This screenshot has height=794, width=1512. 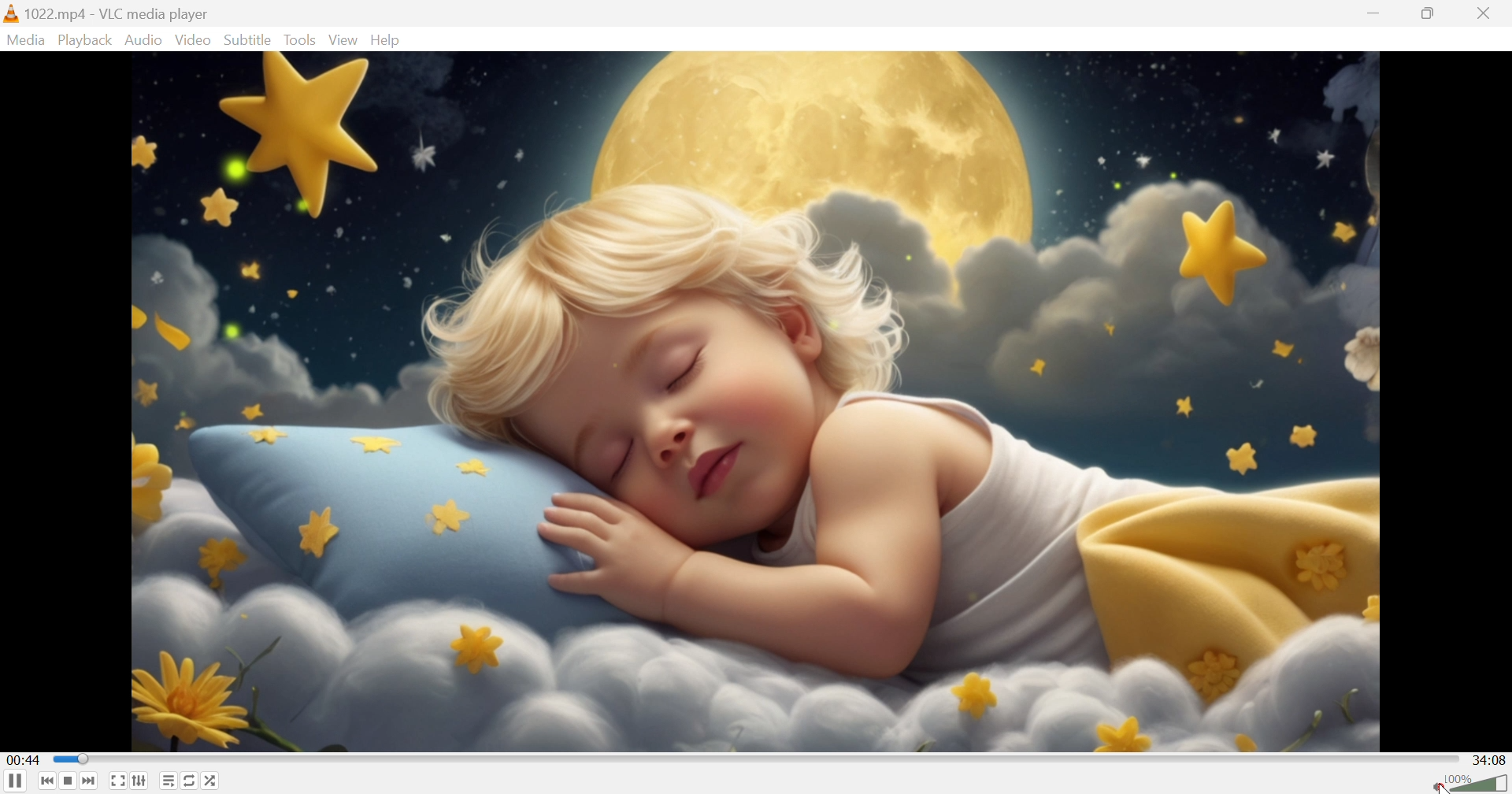 What do you see at coordinates (144, 39) in the screenshot?
I see `Audio` at bounding box center [144, 39].